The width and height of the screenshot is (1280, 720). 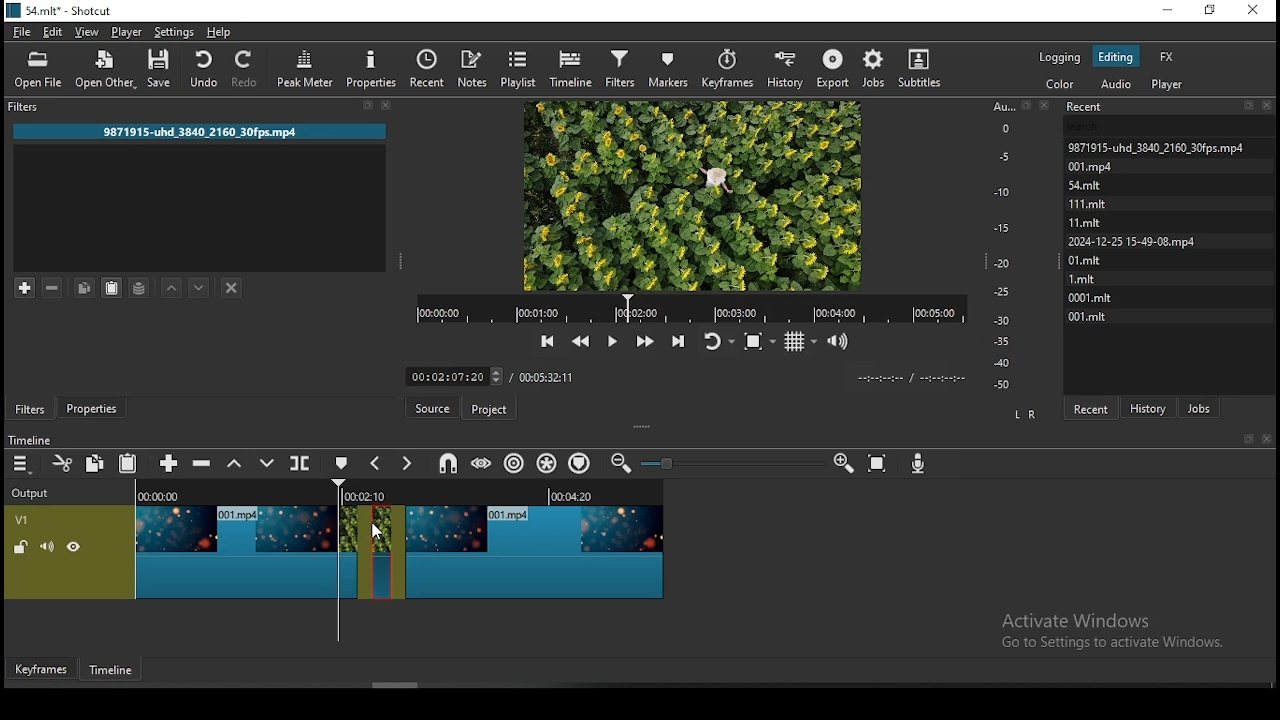 What do you see at coordinates (95, 462) in the screenshot?
I see `copy` at bounding box center [95, 462].